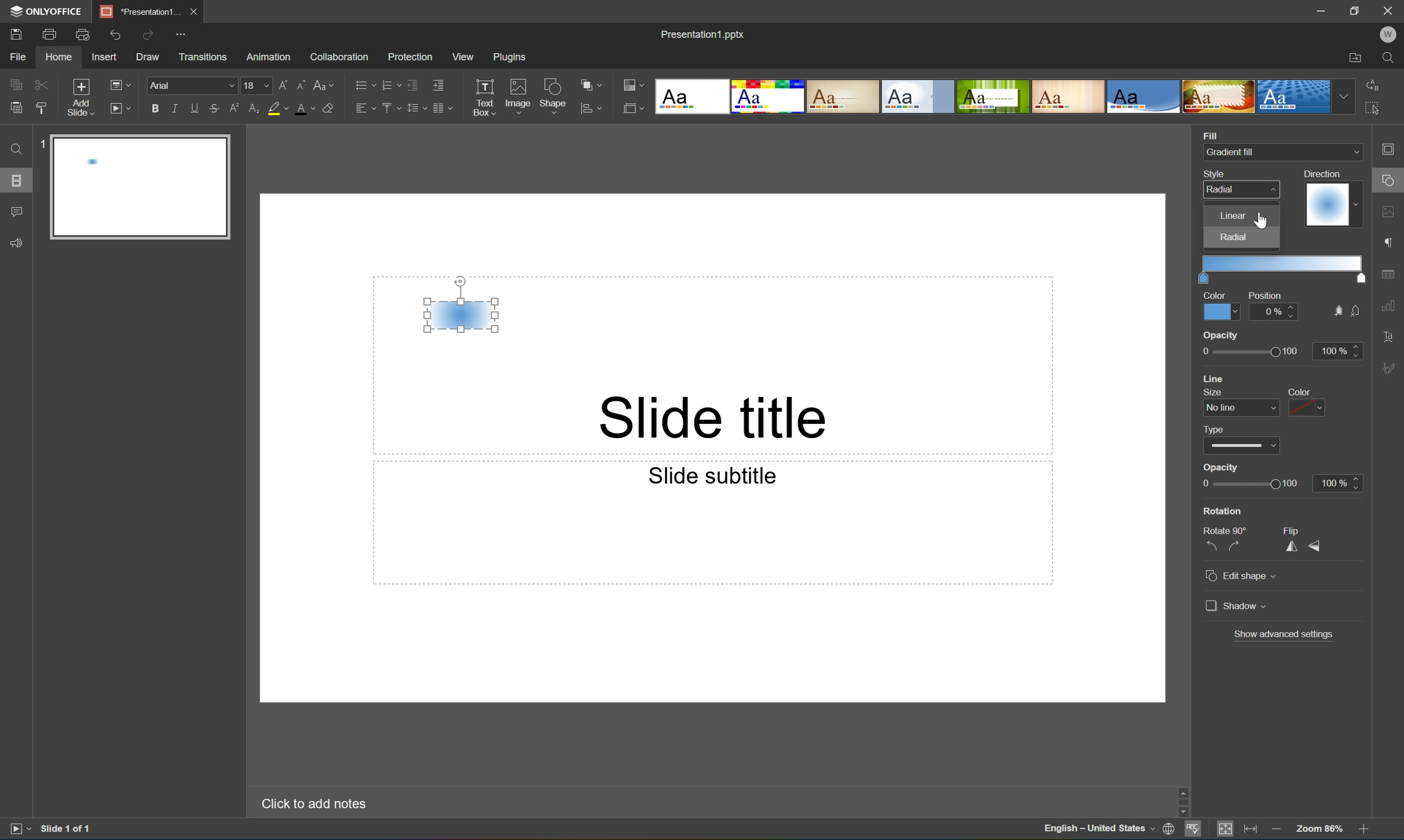  I want to click on 18, so click(257, 85).